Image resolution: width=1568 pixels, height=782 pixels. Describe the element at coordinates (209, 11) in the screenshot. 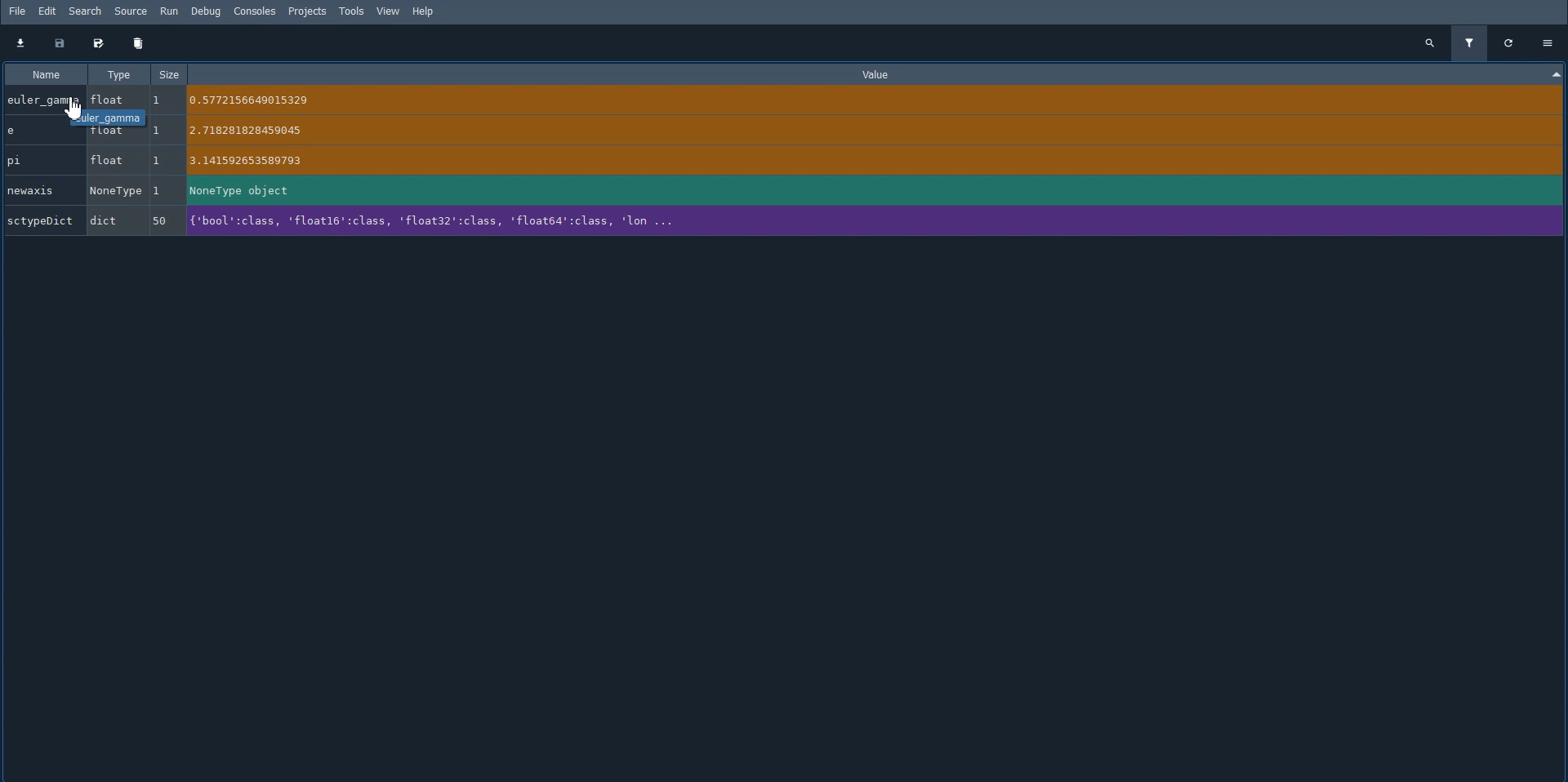

I see `Debug` at that location.